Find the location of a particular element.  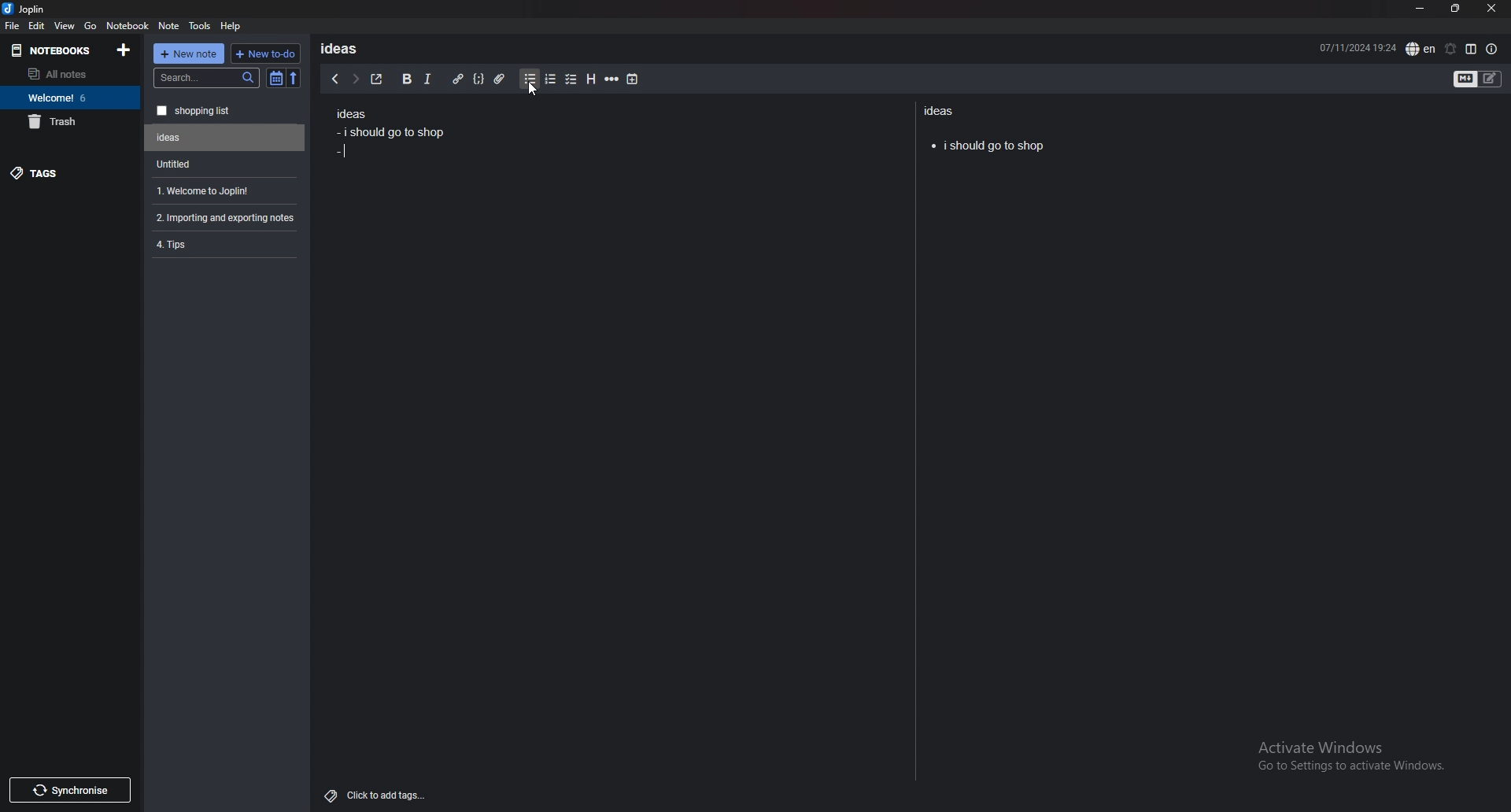

toggle editor layout is located at coordinates (1471, 49).